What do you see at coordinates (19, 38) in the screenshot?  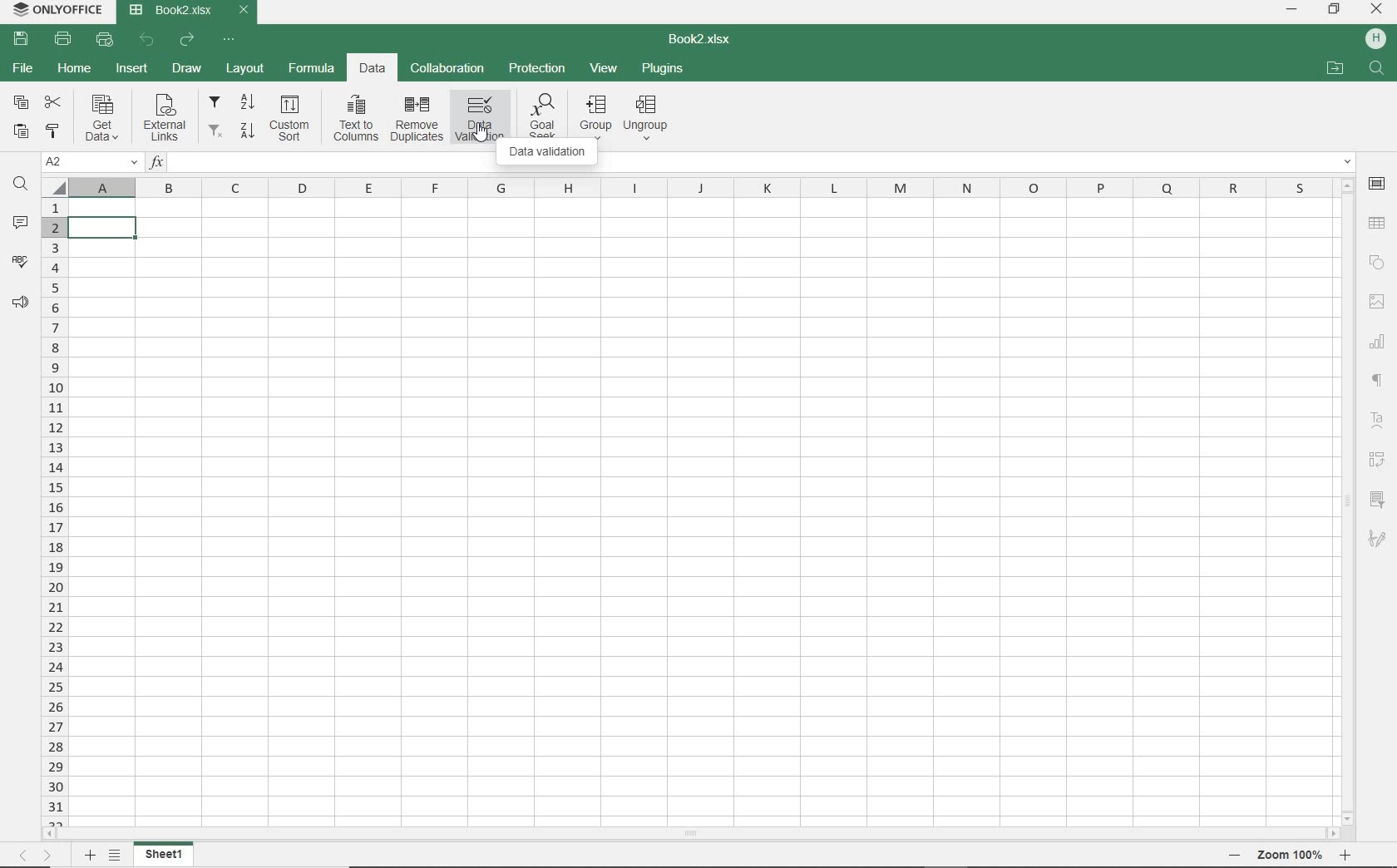 I see `SAVE` at bounding box center [19, 38].